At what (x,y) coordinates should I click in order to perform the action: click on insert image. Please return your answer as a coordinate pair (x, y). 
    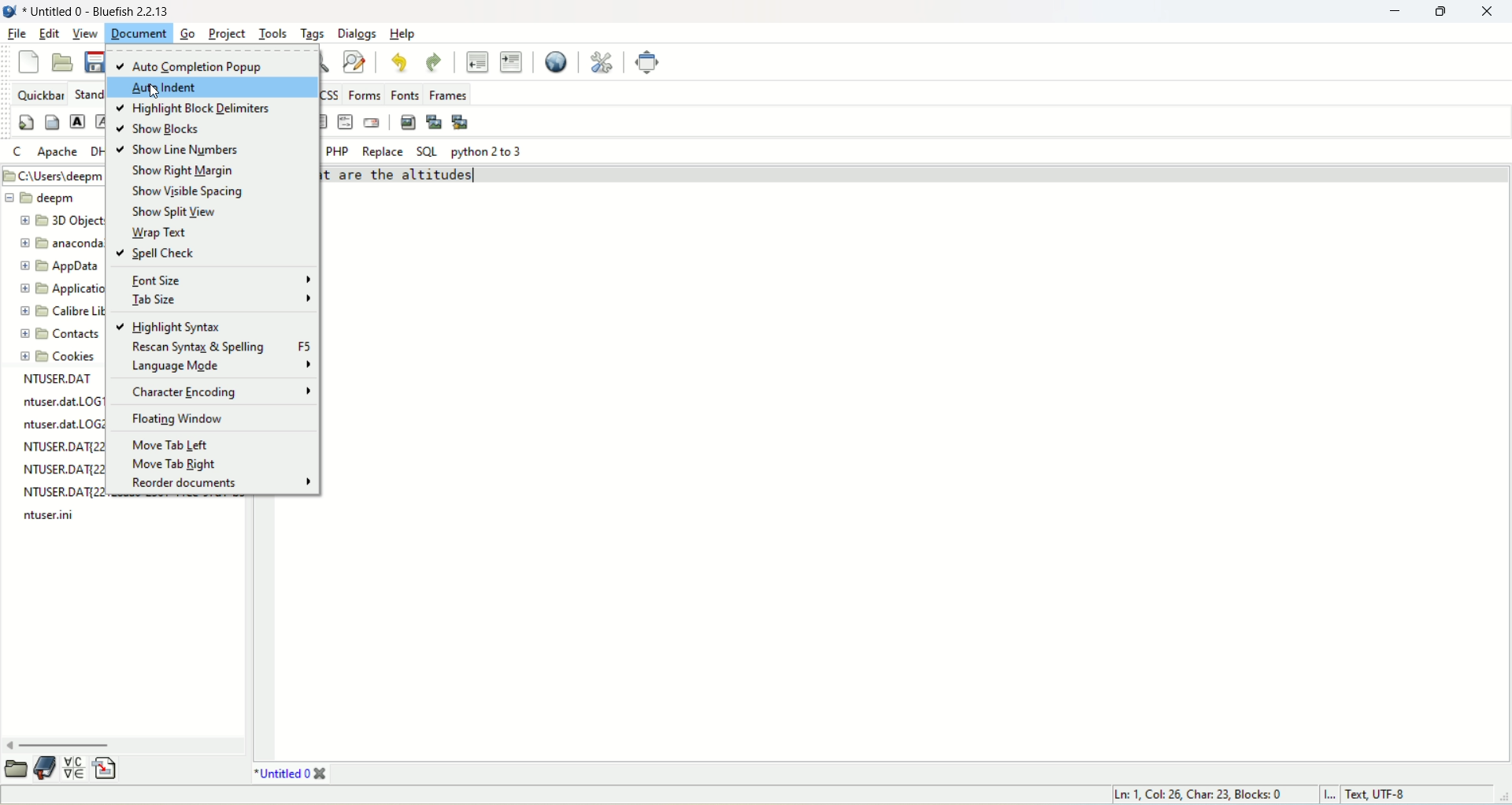
    Looking at the image, I should click on (408, 122).